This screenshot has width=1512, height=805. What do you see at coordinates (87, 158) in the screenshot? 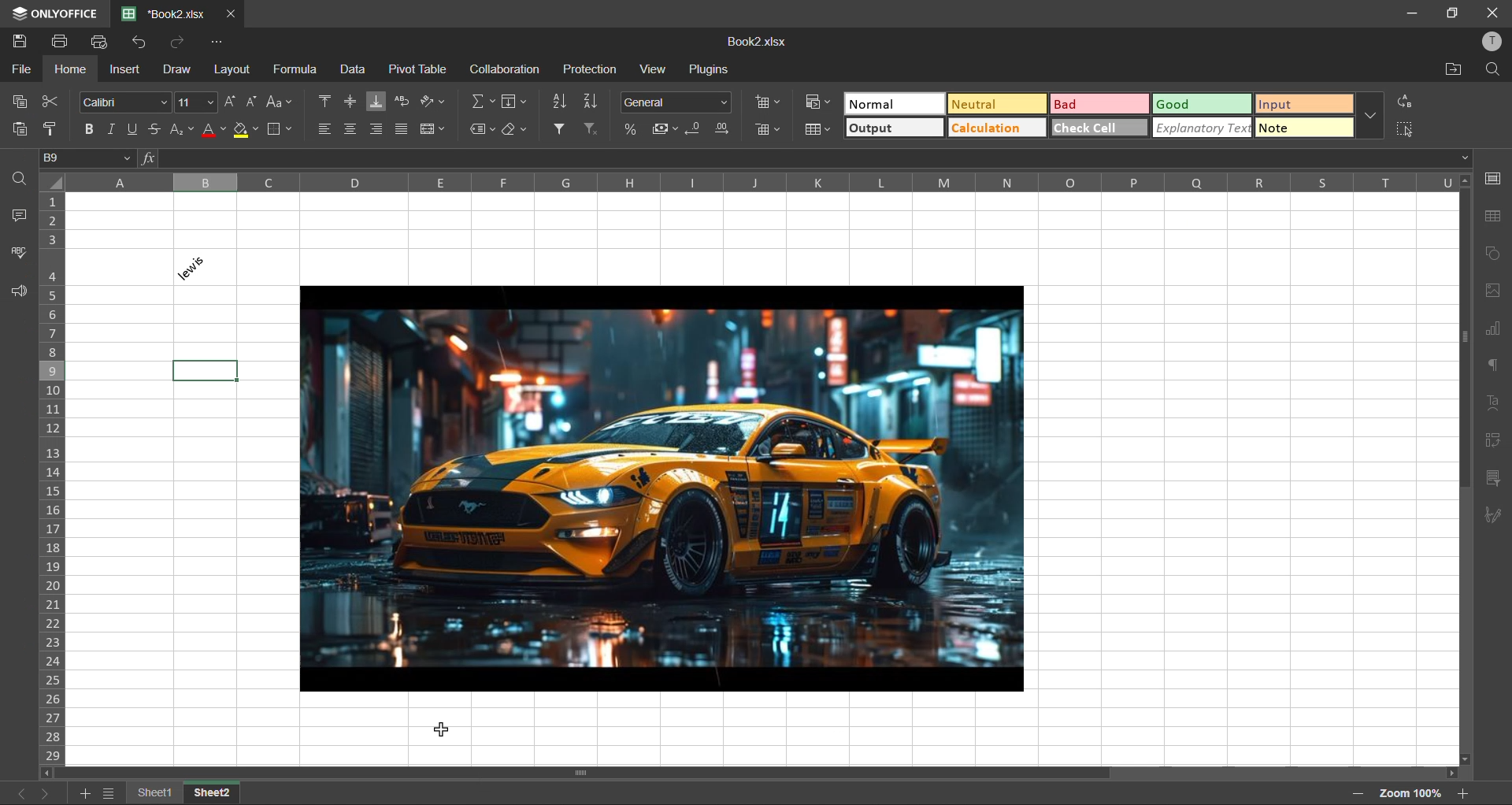
I see `cell address` at bounding box center [87, 158].